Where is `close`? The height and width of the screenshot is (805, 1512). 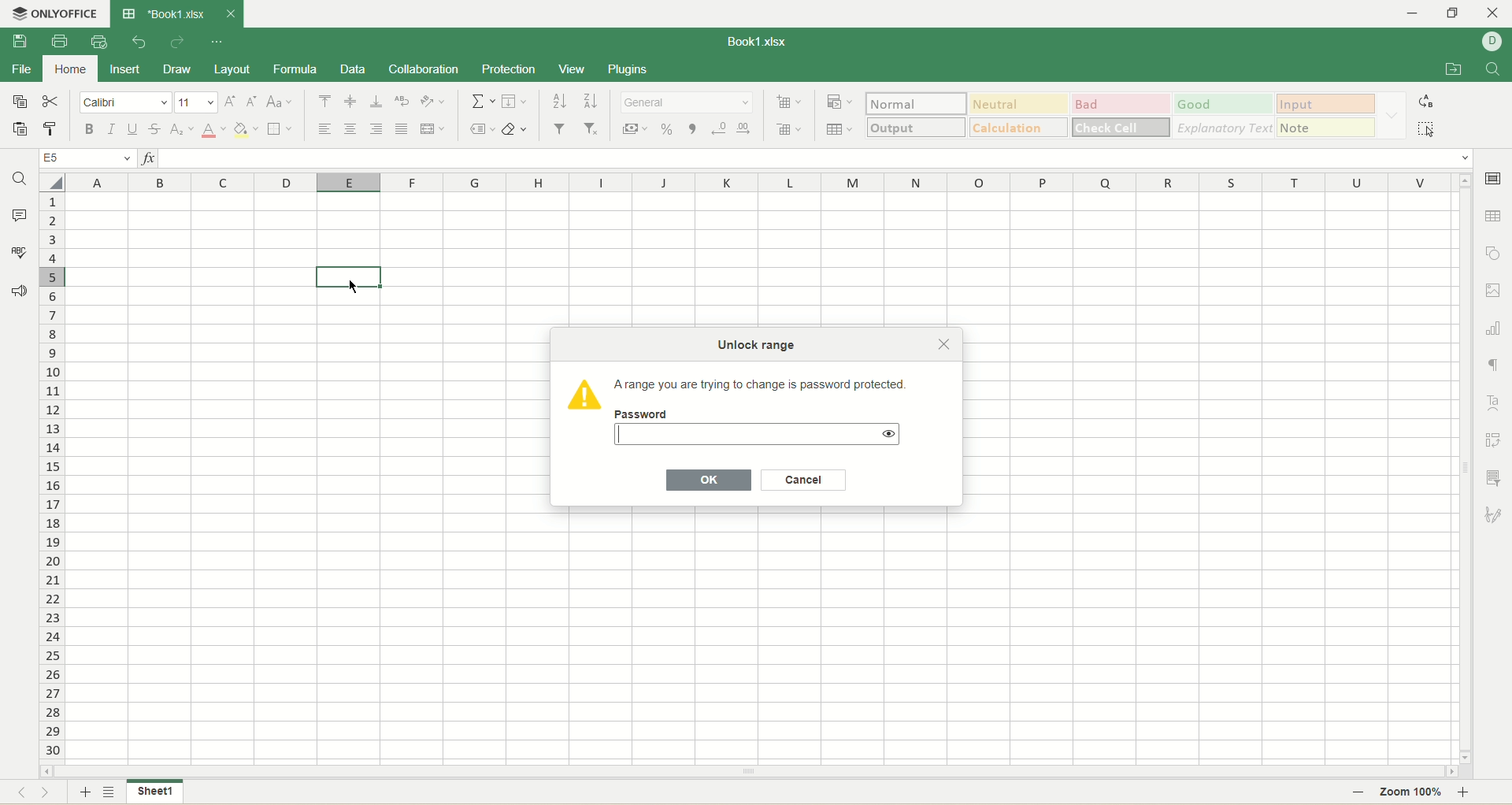
close is located at coordinates (228, 15).